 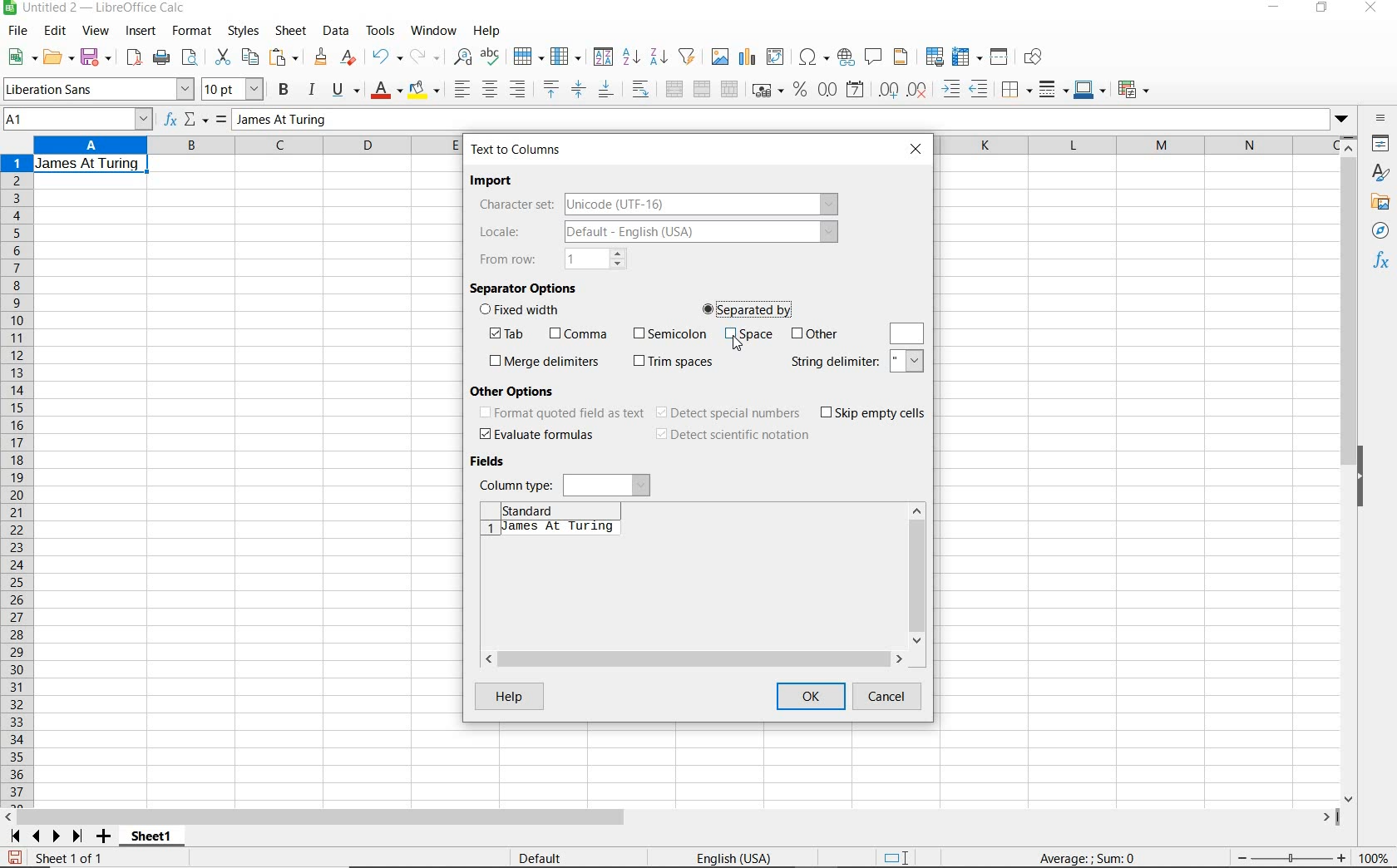 What do you see at coordinates (814, 334) in the screenshot?
I see `other` at bounding box center [814, 334].